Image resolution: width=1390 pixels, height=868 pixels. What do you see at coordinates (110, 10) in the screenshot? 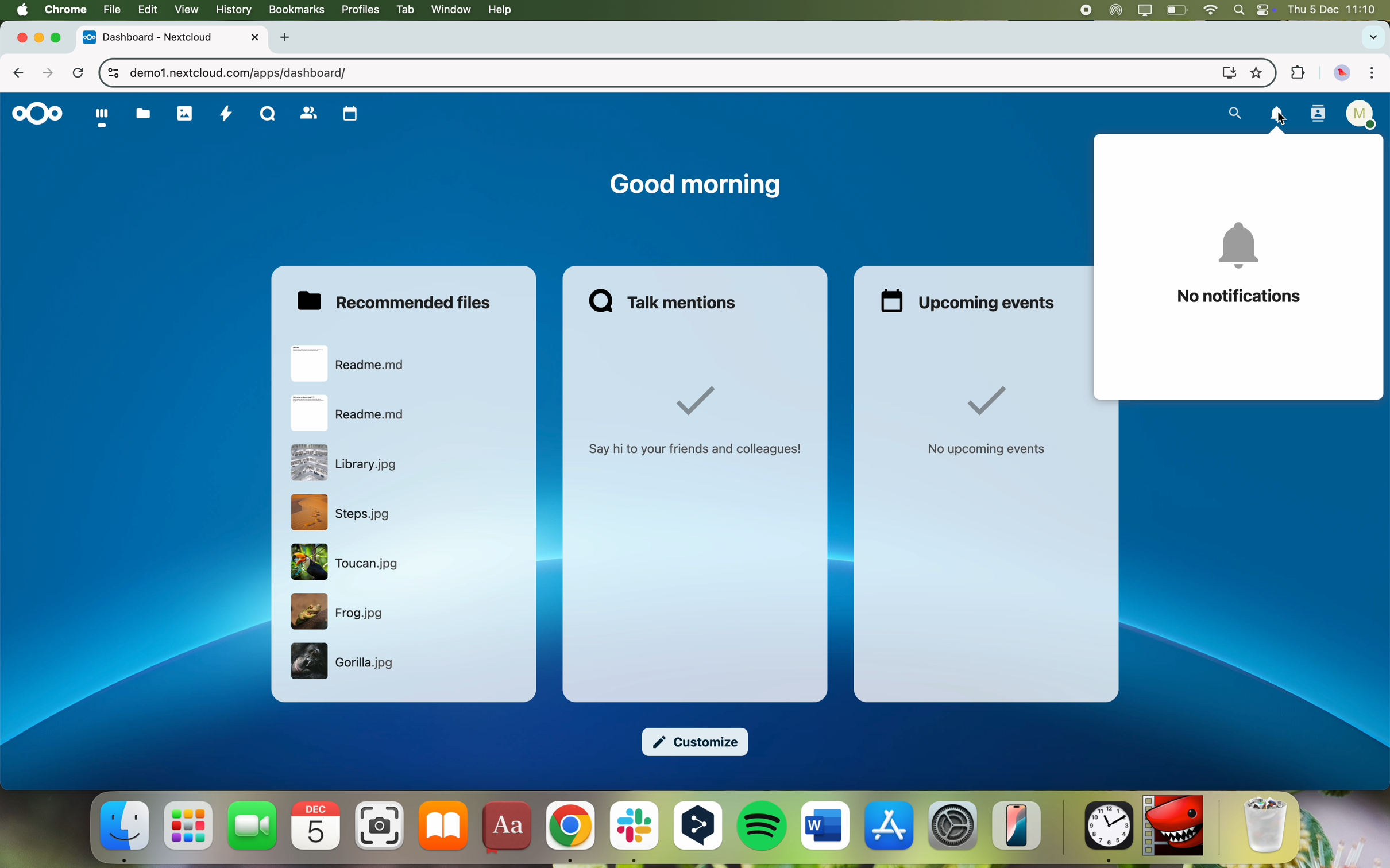
I see `file` at bounding box center [110, 10].